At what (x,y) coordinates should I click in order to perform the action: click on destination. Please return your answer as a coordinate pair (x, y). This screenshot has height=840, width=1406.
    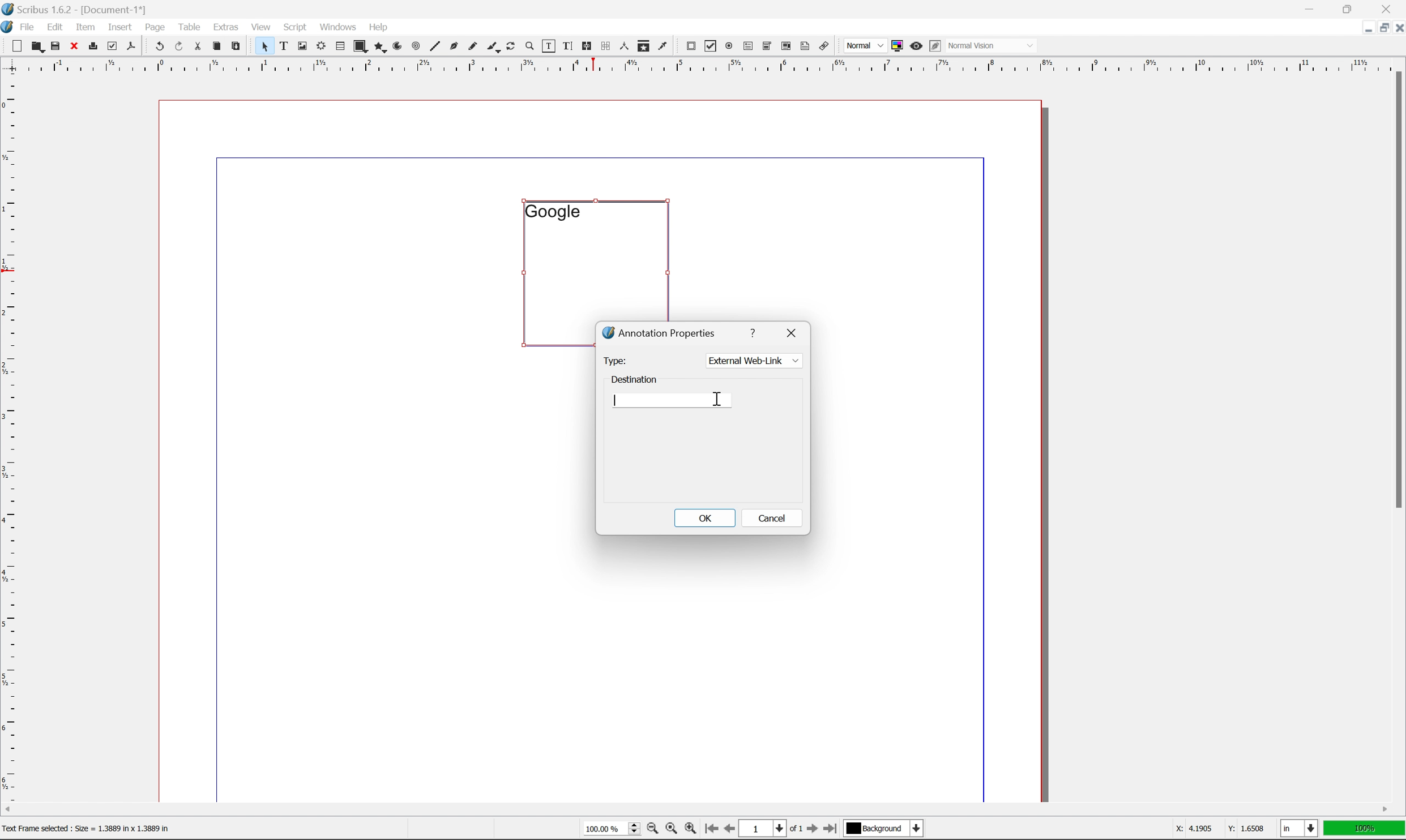
    Looking at the image, I should click on (635, 378).